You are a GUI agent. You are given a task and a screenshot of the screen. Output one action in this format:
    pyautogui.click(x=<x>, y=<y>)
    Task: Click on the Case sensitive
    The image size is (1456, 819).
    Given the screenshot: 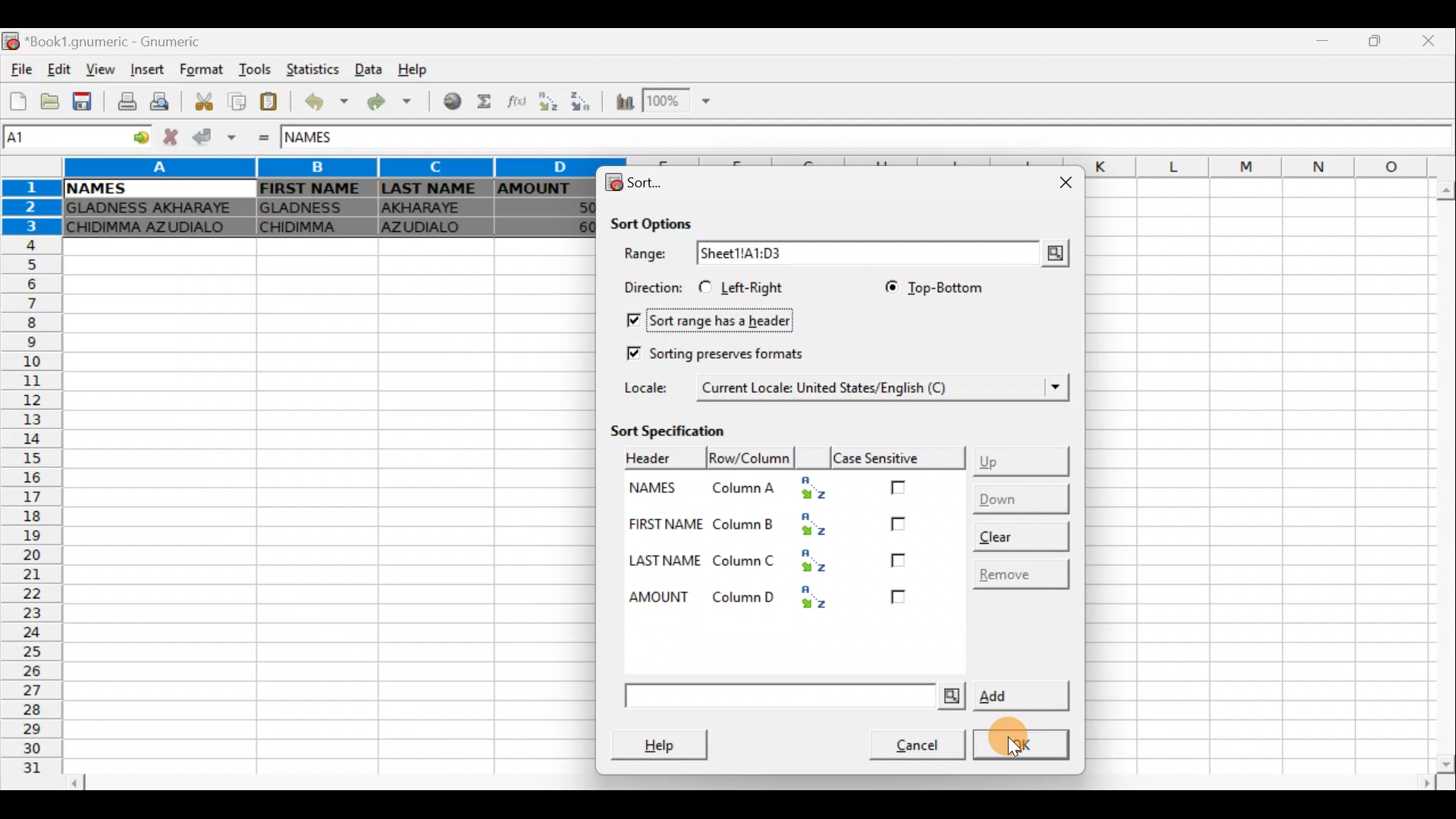 What is the action you would take?
    pyautogui.click(x=901, y=458)
    